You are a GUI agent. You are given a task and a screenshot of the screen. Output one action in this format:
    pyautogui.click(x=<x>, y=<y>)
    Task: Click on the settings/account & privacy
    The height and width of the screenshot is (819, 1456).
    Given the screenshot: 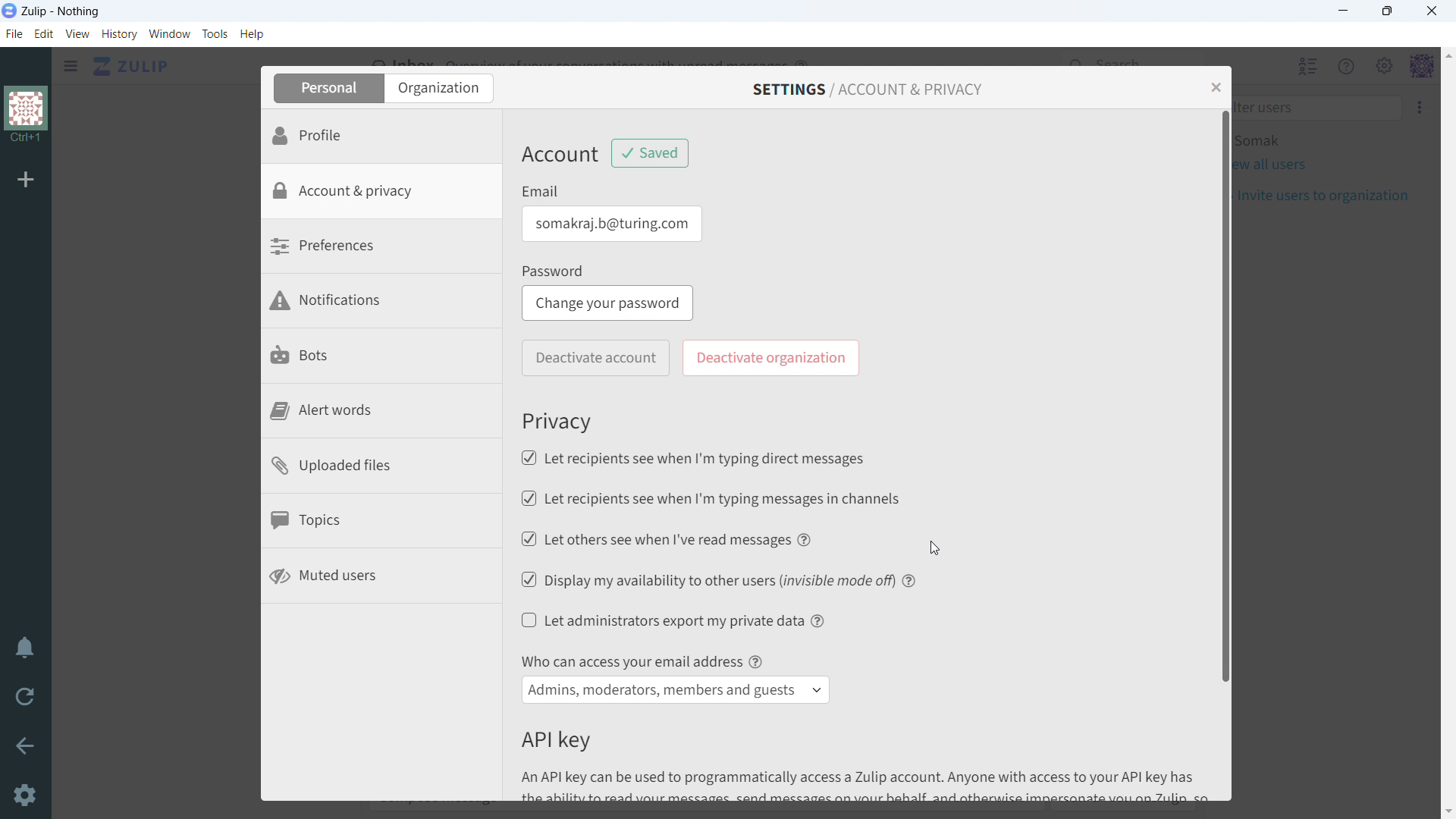 What is the action you would take?
    pyautogui.click(x=876, y=90)
    